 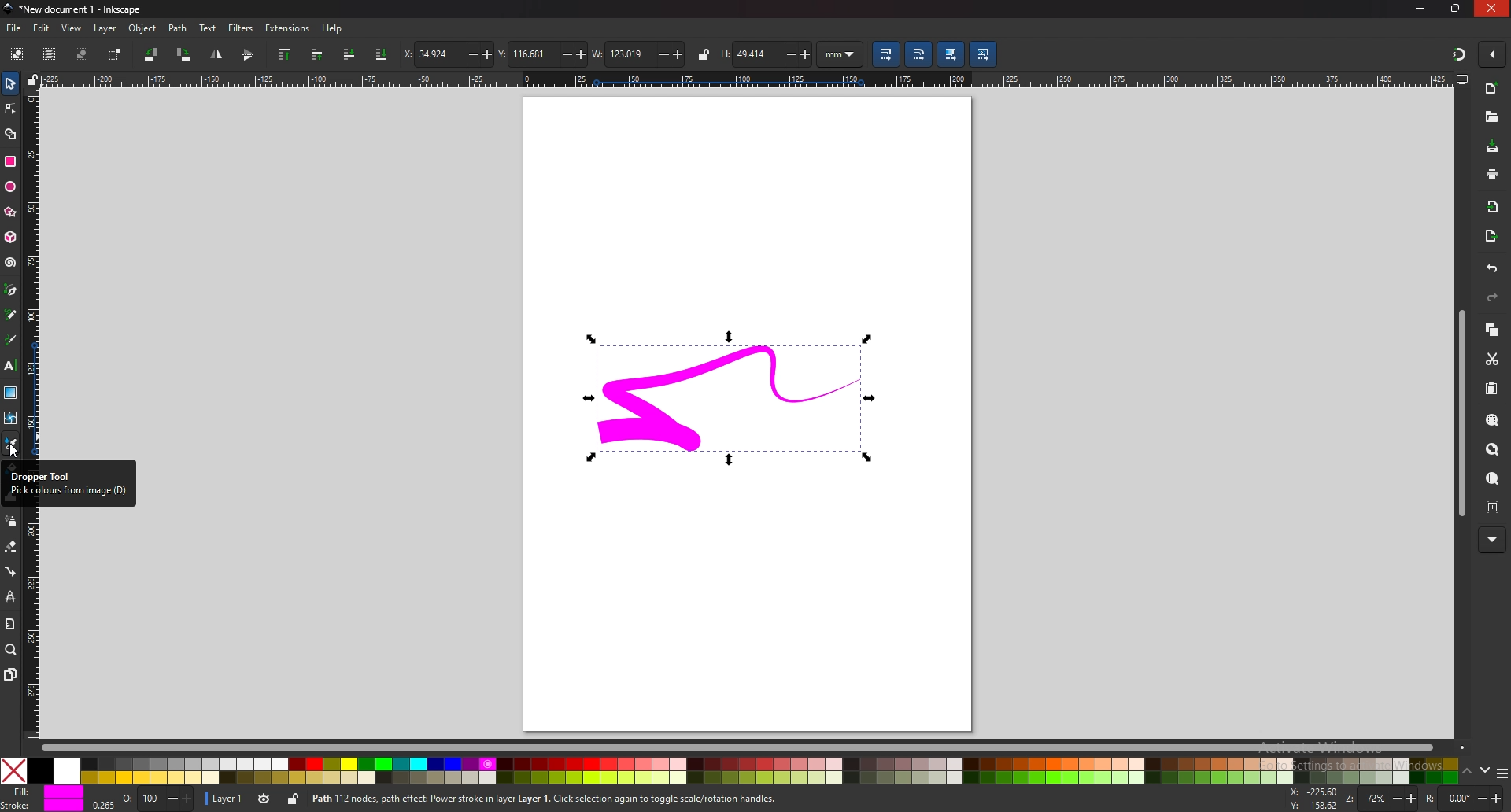 I want to click on print, so click(x=1493, y=176).